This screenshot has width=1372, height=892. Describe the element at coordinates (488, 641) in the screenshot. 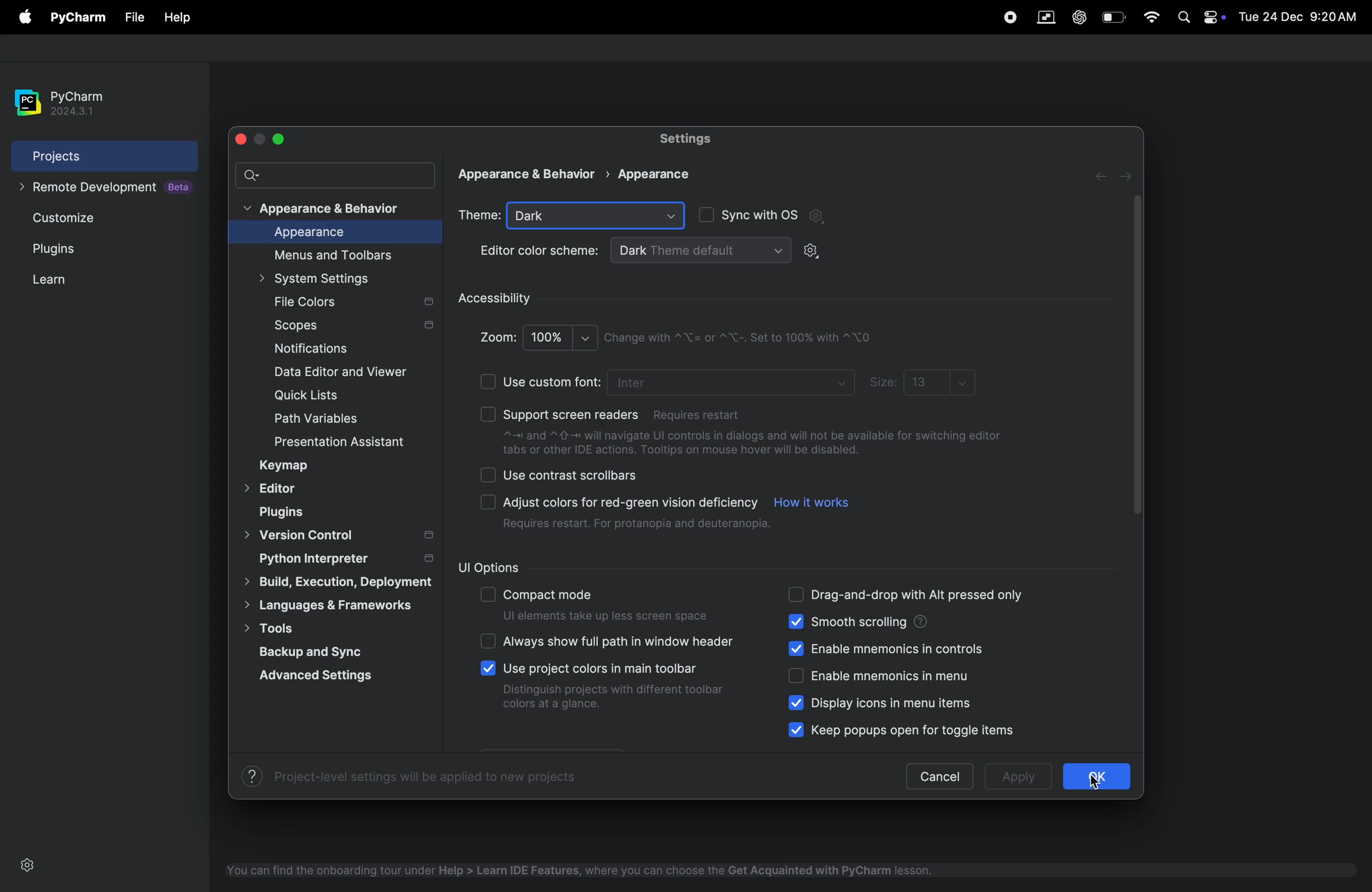

I see `check box` at that location.